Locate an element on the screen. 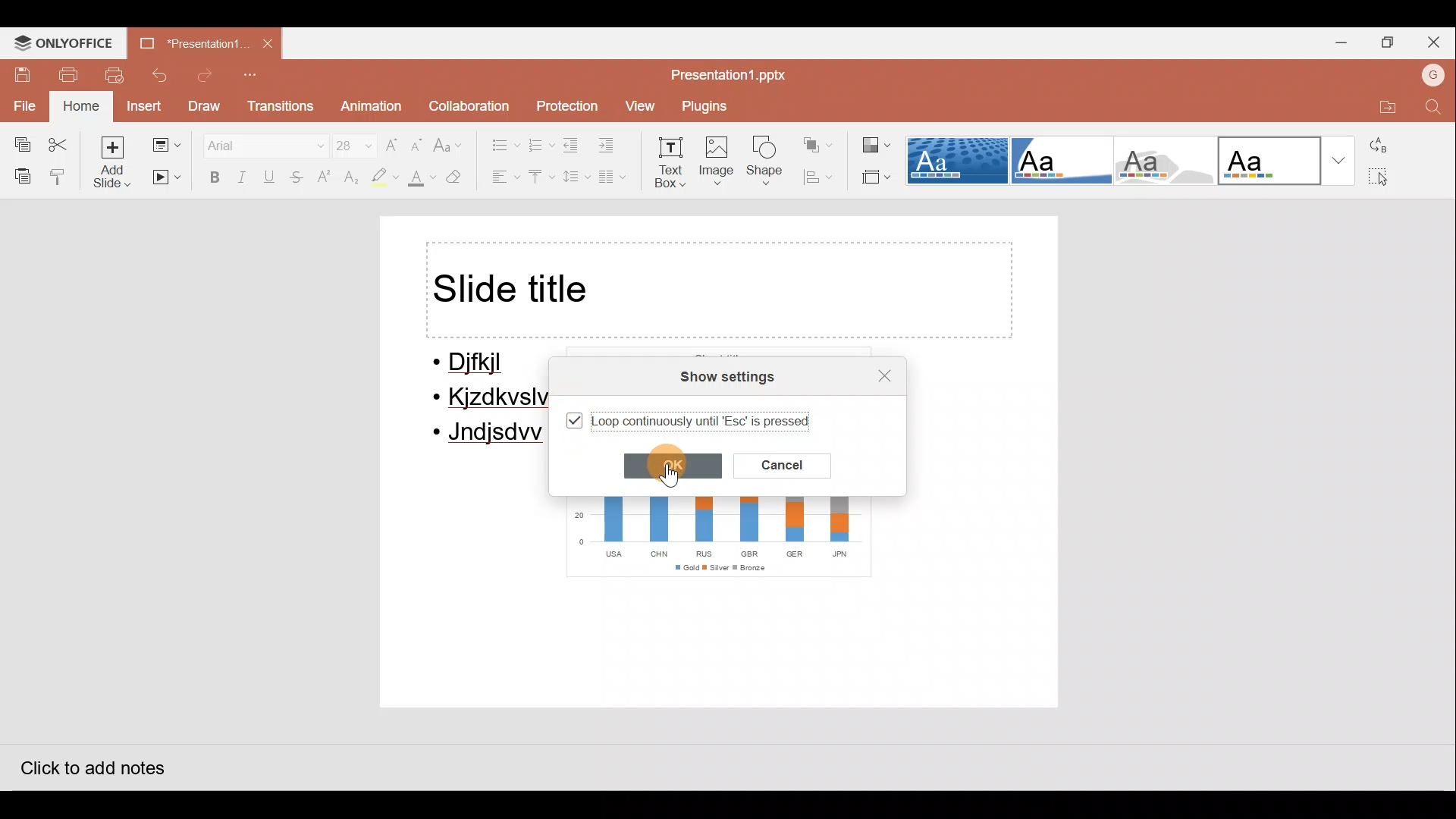 Image resolution: width=1456 pixels, height=819 pixels. Open file location is located at coordinates (1379, 107).